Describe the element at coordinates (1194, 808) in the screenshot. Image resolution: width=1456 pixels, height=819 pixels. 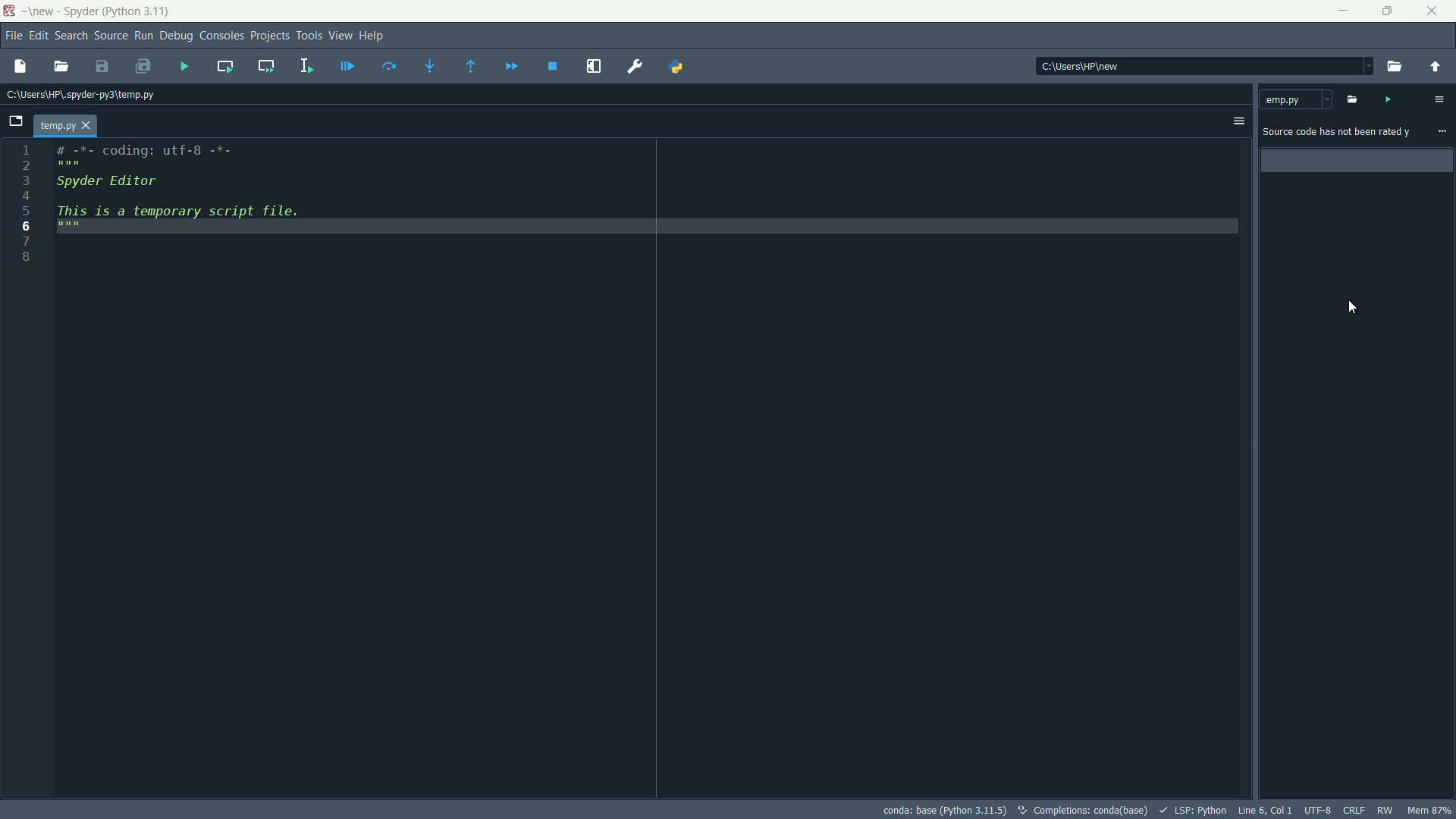
I see `LSP:Python` at that location.